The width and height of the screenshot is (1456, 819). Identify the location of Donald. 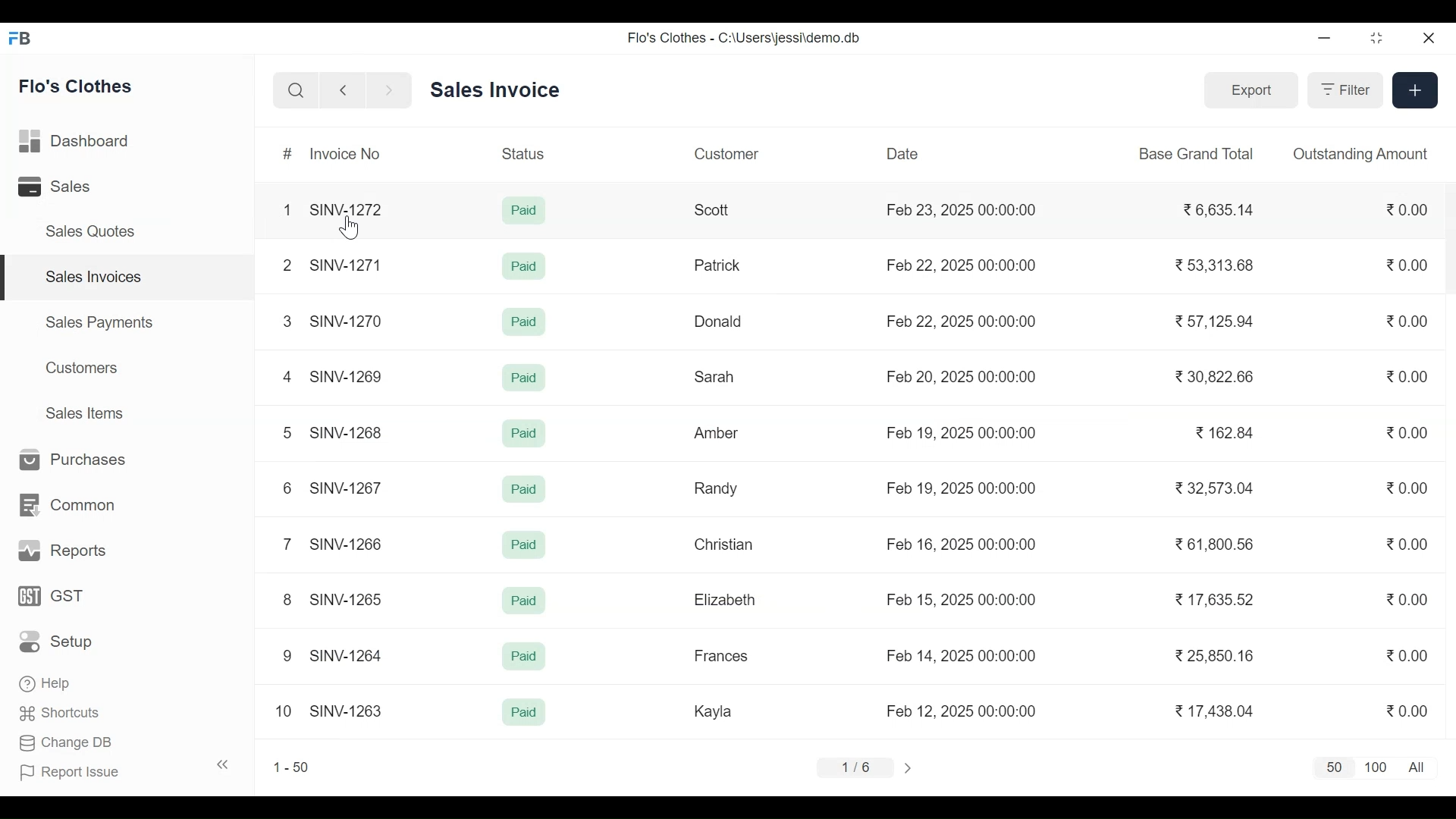
(719, 322).